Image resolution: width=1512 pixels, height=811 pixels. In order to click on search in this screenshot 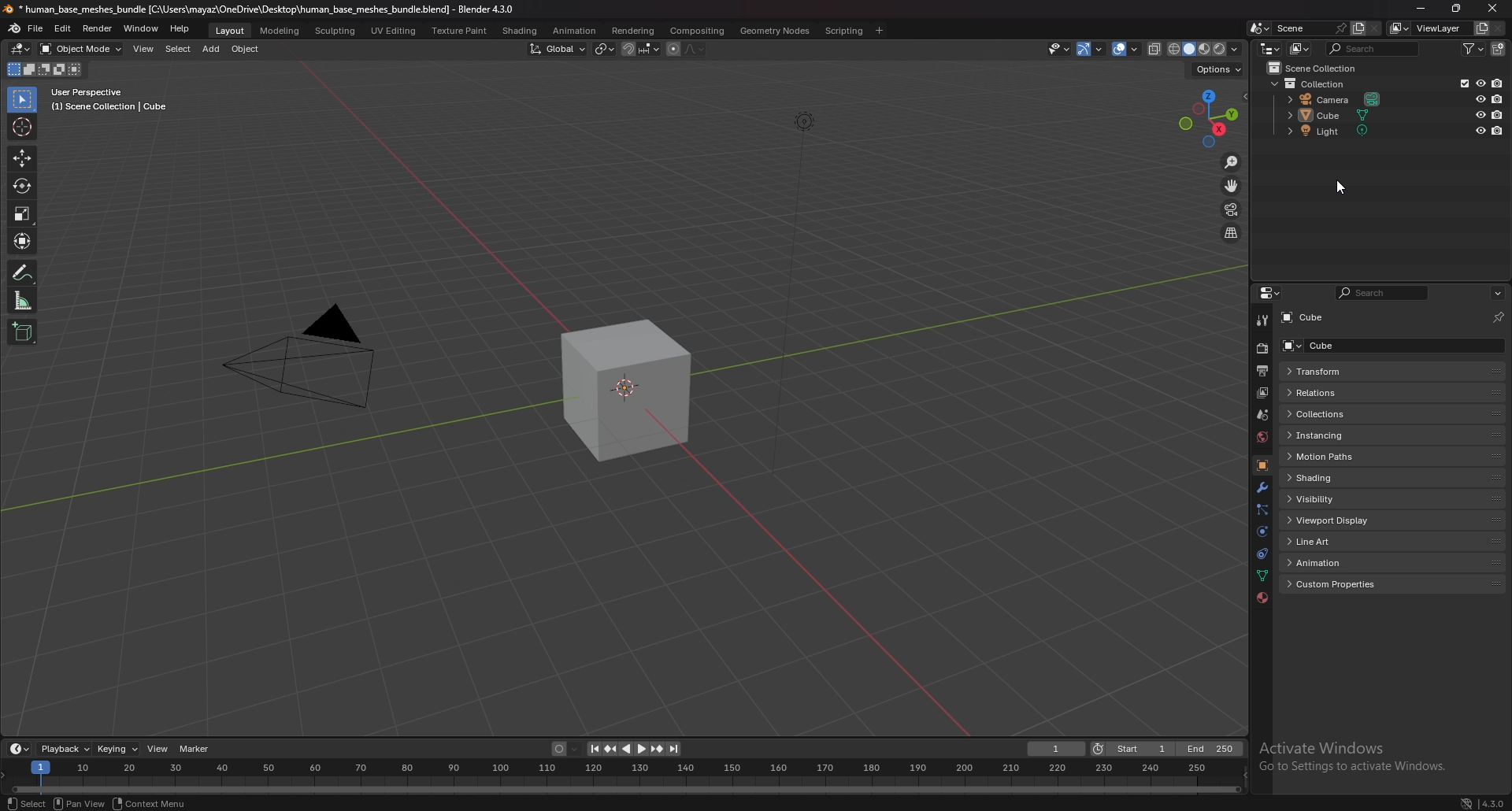, I will do `click(1380, 294)`.